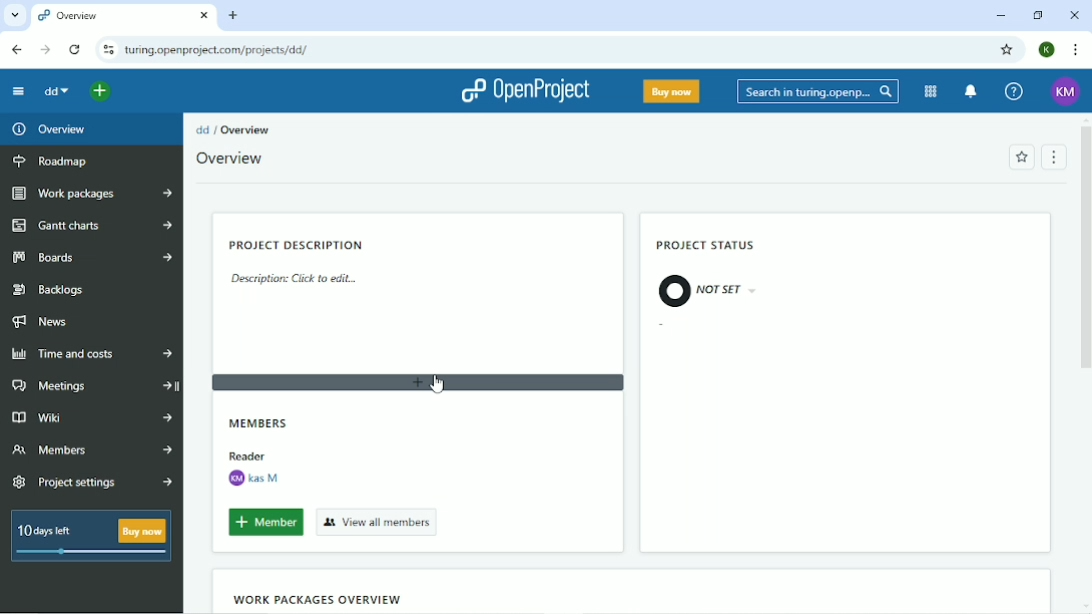  I want to click on Project status, so click(713, 245).